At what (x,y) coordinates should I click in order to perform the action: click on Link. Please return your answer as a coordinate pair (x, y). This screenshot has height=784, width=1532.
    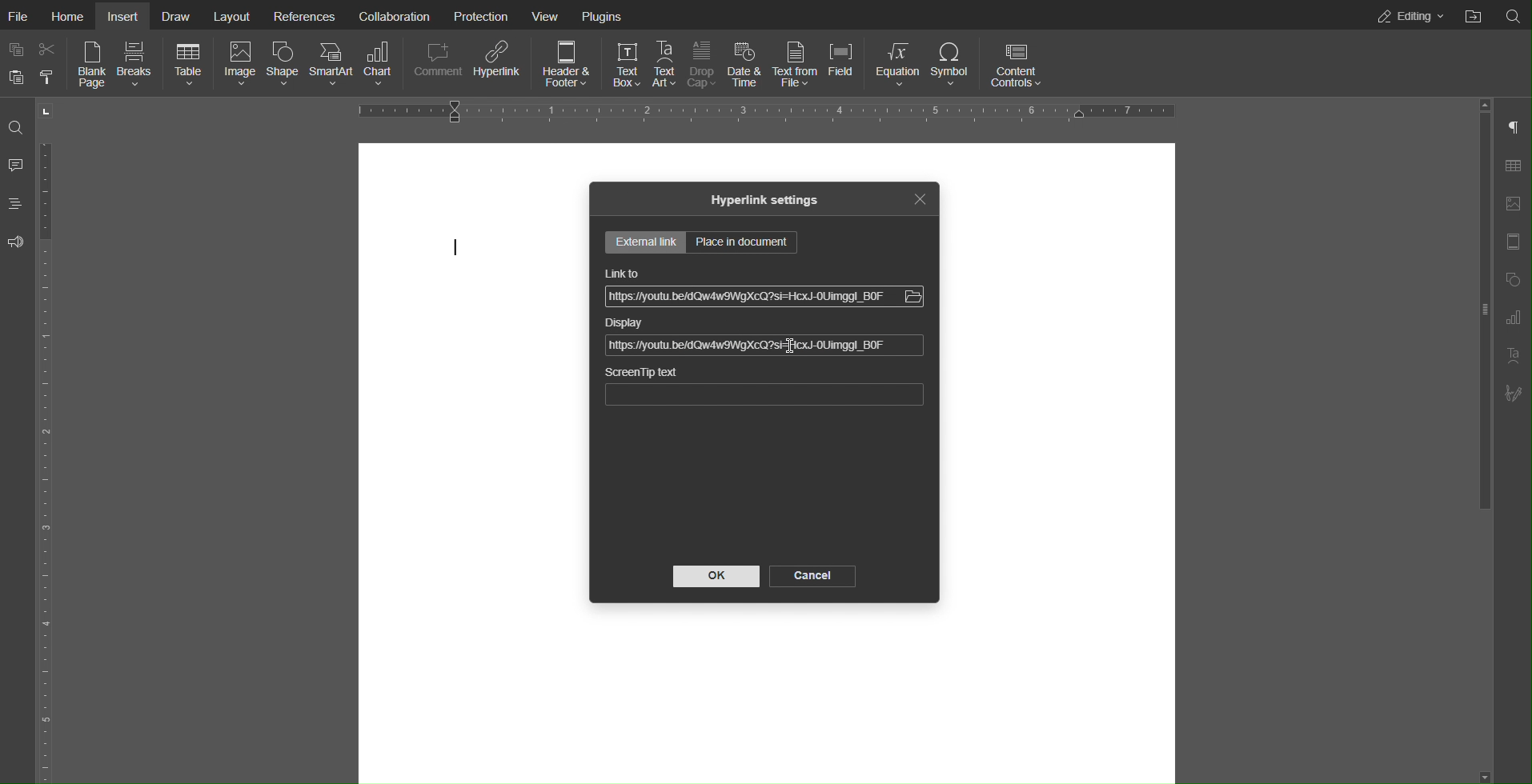
    Looking at the image, I should click on (747, 298).